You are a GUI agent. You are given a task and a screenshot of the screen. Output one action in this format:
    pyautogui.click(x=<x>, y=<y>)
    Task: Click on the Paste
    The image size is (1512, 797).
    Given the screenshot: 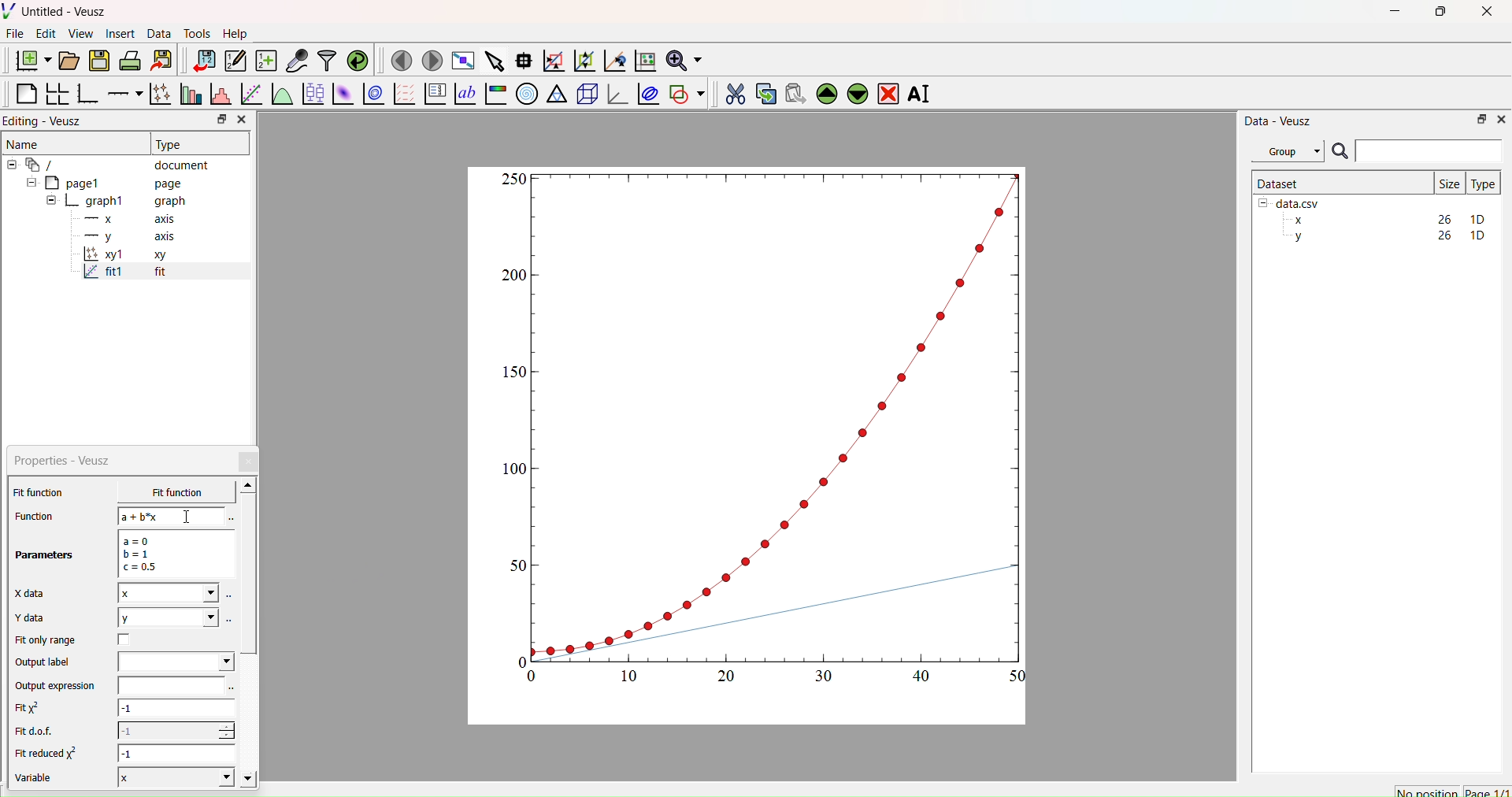 What is the action you would take?
    pyautogui.click(x=793, y=91)
    